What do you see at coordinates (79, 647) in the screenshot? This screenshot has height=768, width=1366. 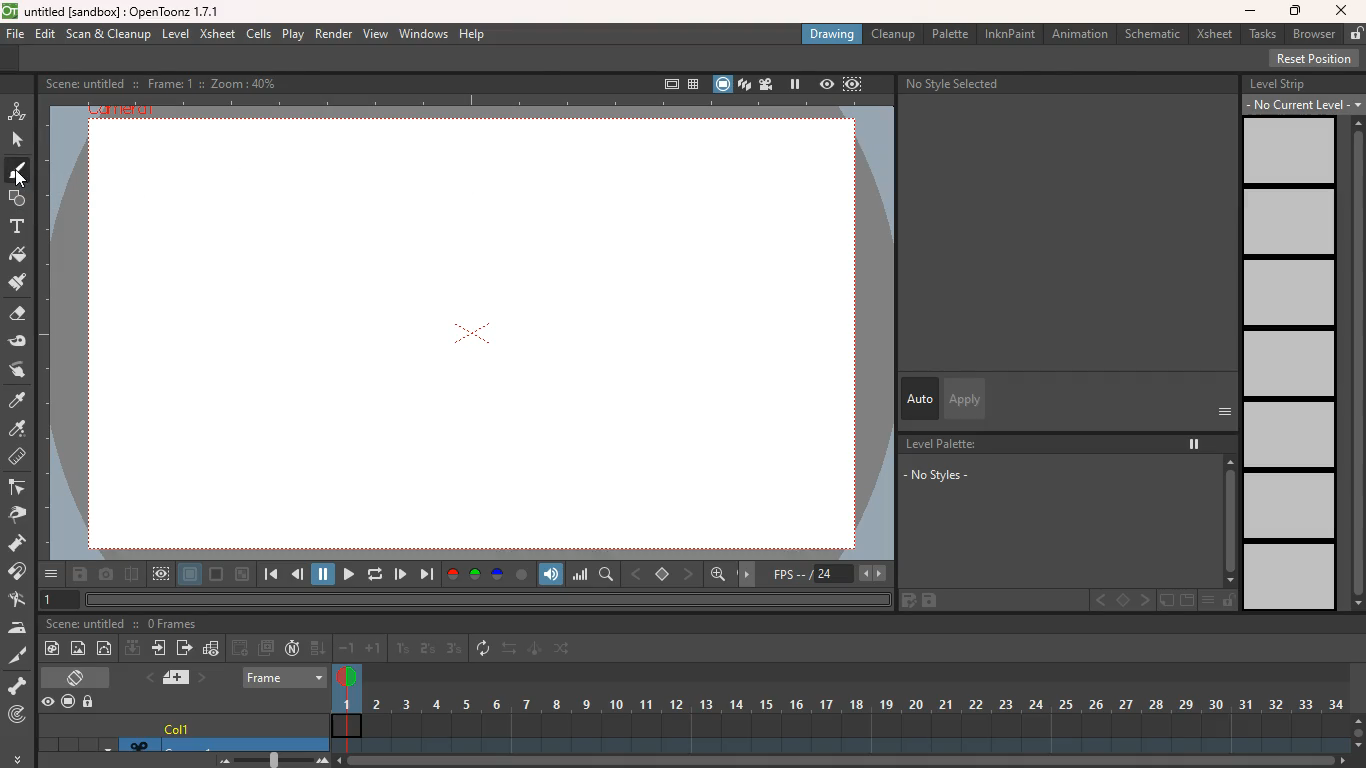 I see `image` at bounding box center [79, 647].